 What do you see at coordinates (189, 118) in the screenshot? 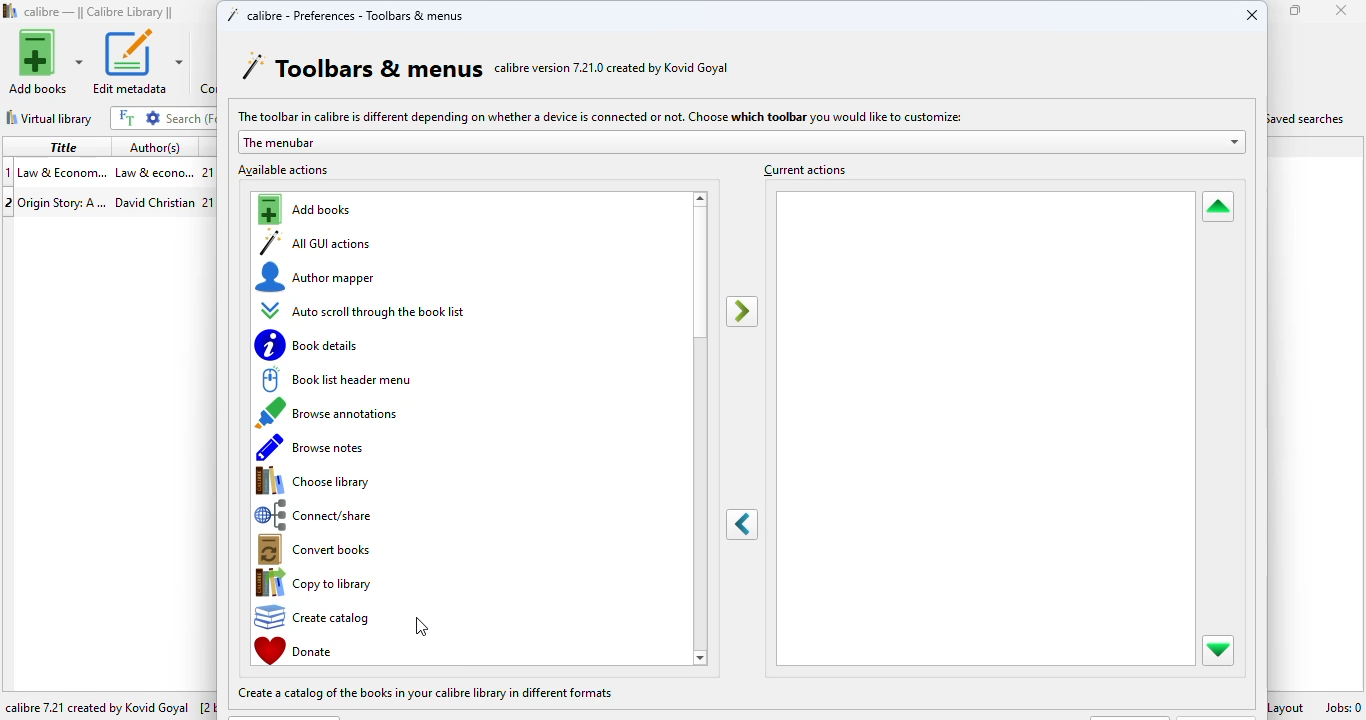
I see `search` at bounding box center [189, 118].